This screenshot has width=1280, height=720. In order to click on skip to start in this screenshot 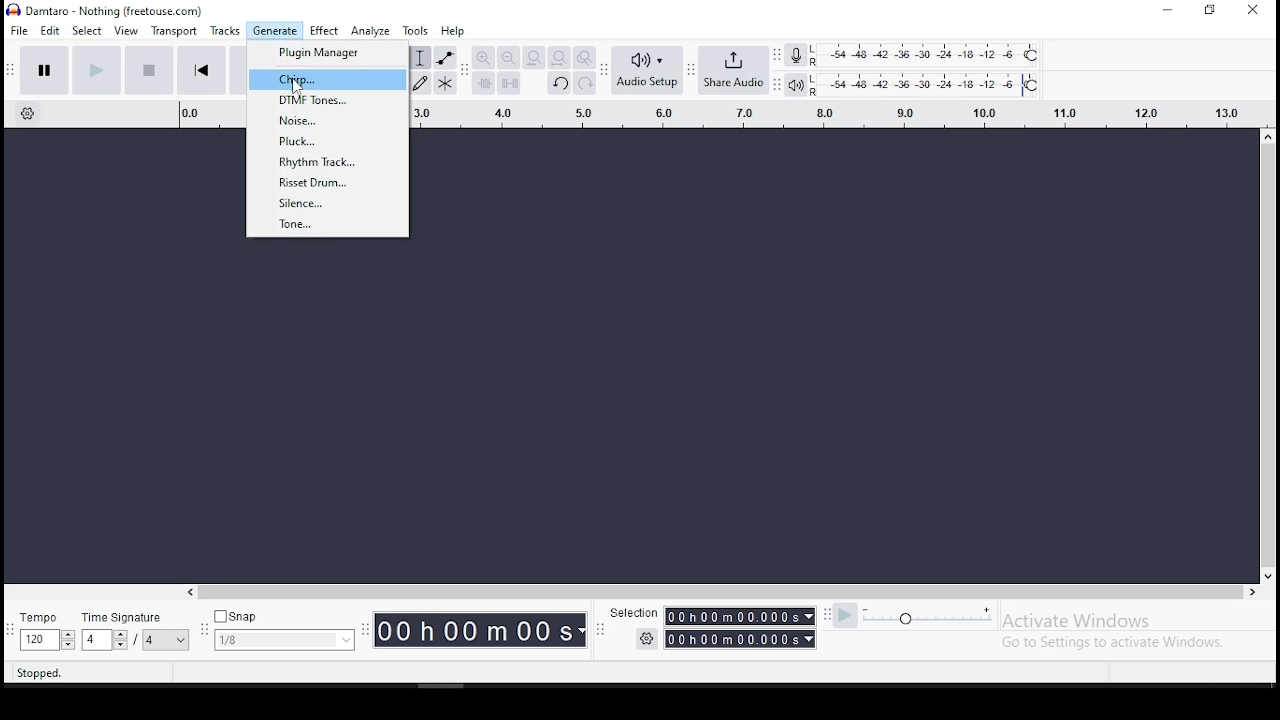, I will do `click(201, 69)`.